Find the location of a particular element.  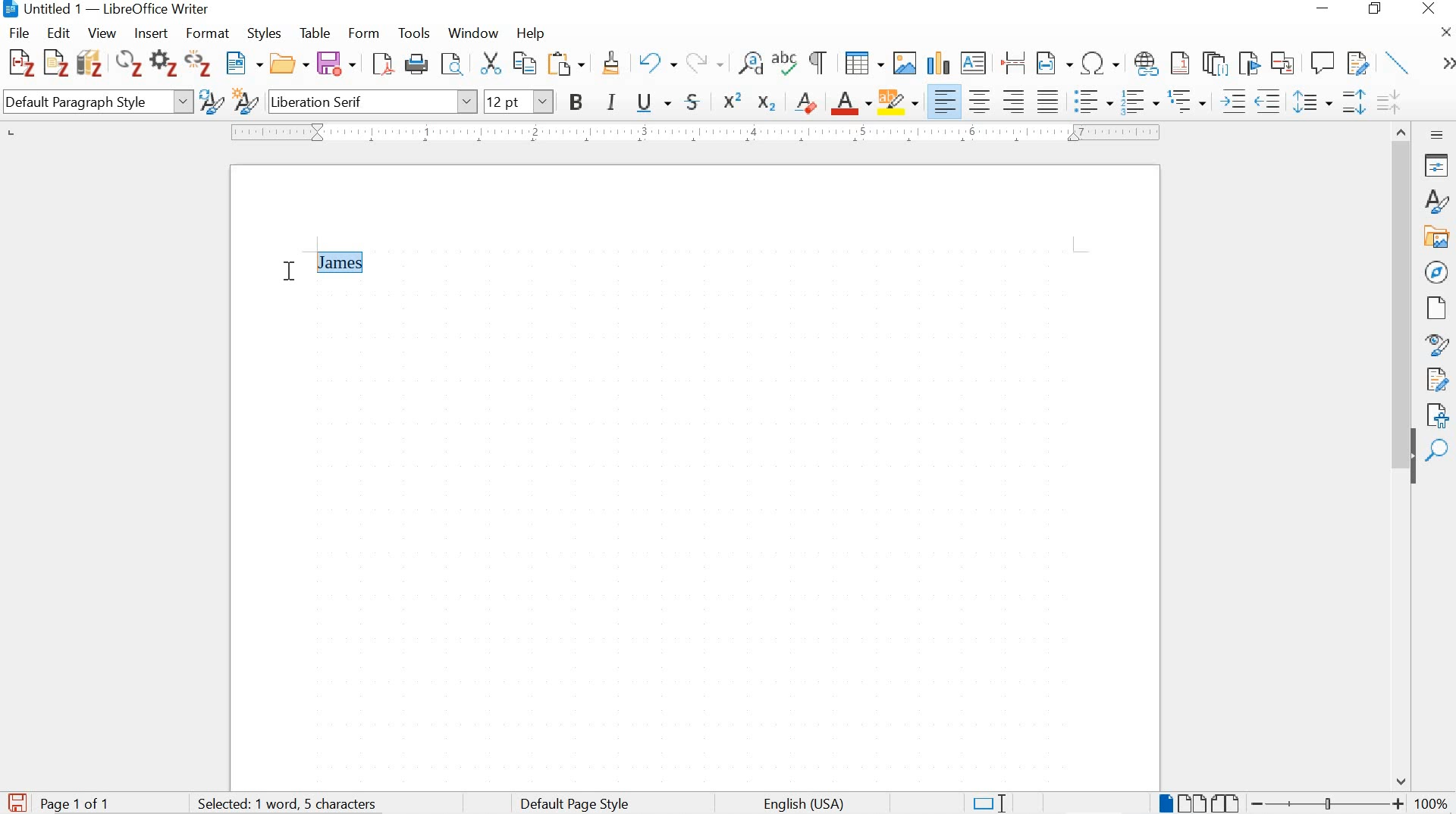

accessibility check is located at coordinates (1437, 415).